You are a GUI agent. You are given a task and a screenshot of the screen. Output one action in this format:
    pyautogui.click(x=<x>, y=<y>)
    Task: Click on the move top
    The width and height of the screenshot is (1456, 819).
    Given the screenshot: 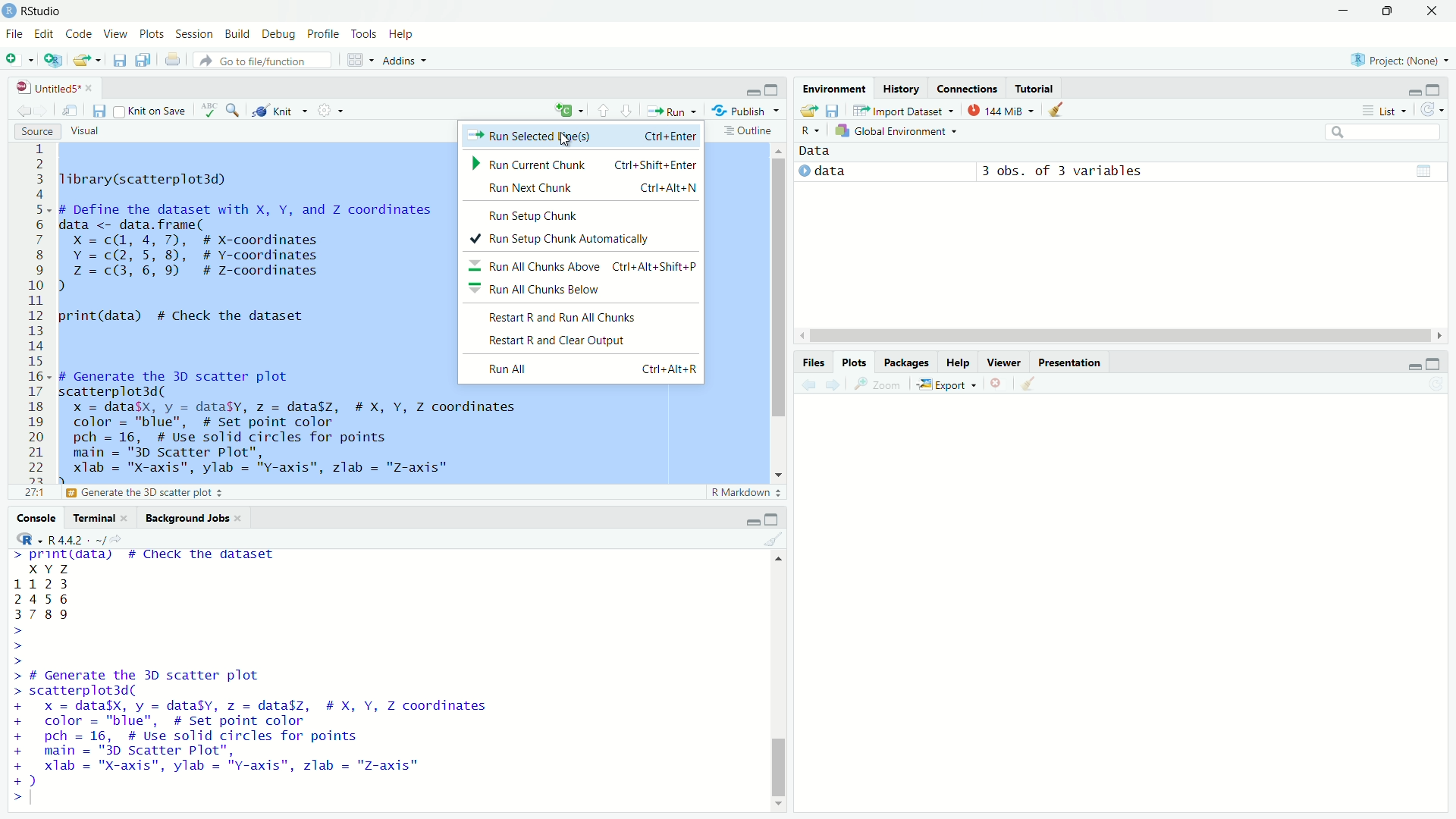 What is the action you would take?
    pyautogui.click(x=778, y=149)
    